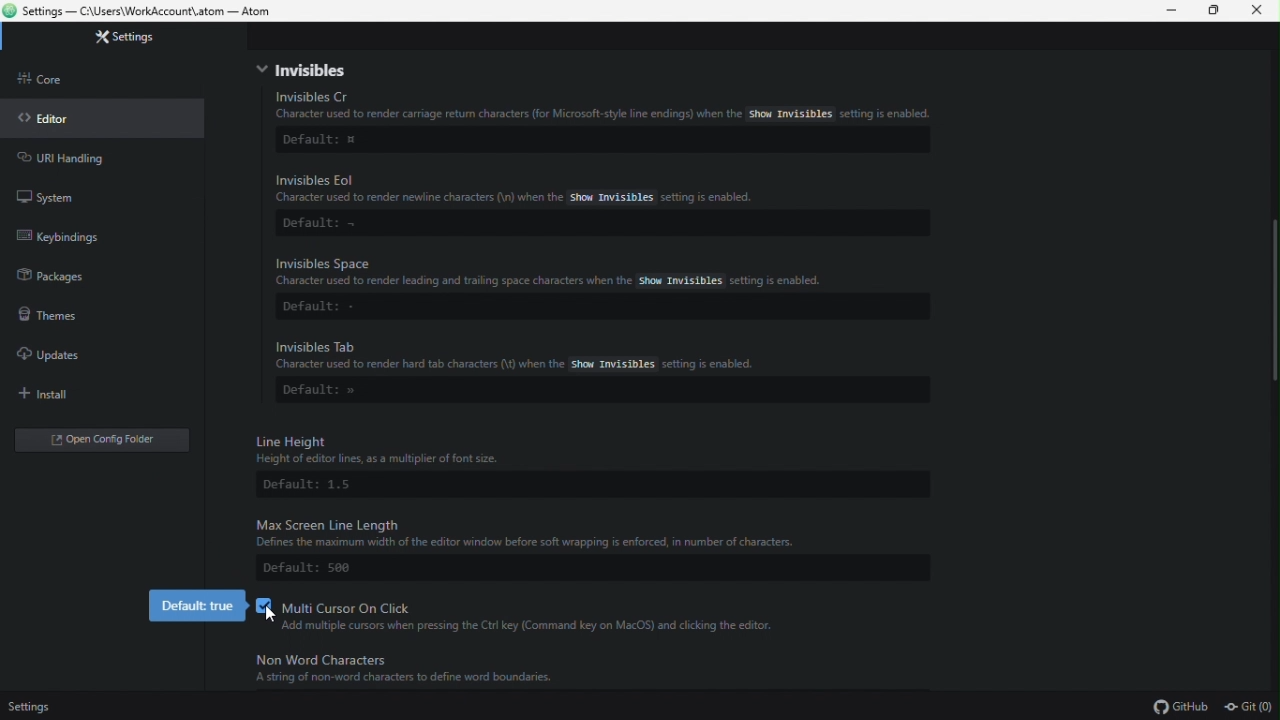 This screenshot has width=1280, height=720. What do you see at coordinates (590, 531) in the screenshot?
I see `Max Screen Line Length
Defines the maximum width of the editor window befor soft wrapping is enforced, in number of characters.` at bounding box center [590, 531].